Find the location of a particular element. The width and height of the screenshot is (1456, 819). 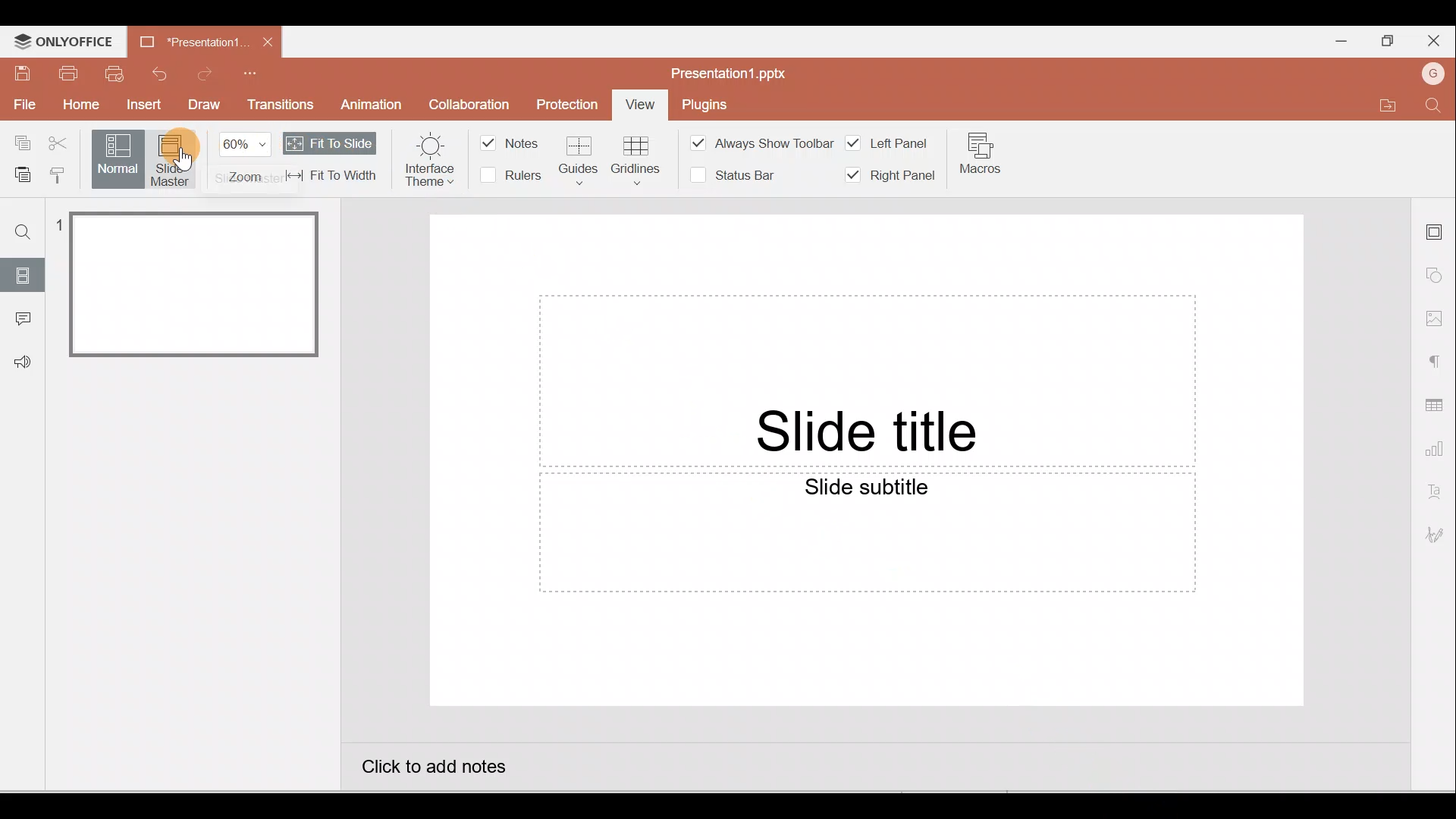

Macros is located at coordinates (982, 161).